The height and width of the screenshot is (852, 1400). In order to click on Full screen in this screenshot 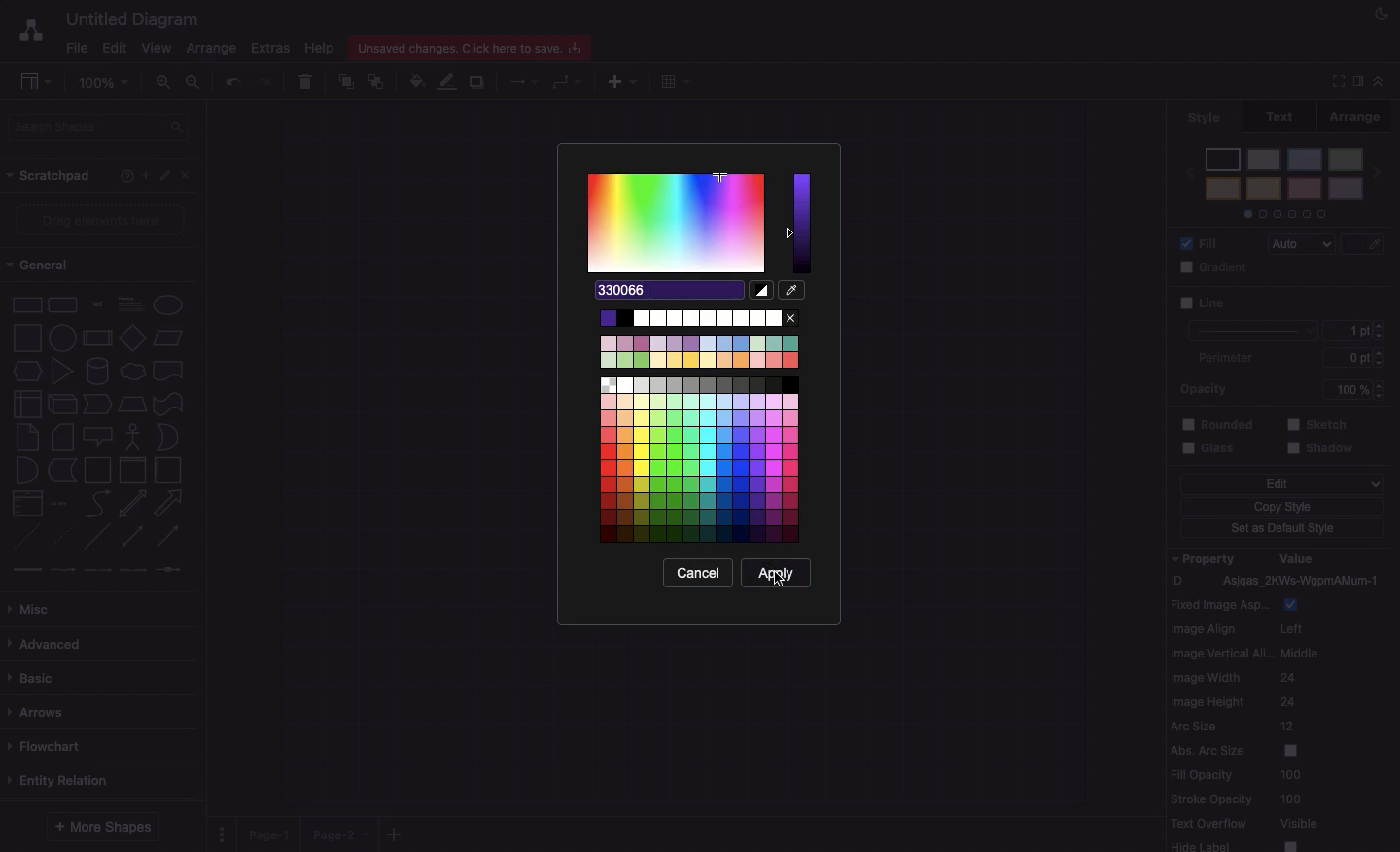, I will do `click(1336, 83)`.